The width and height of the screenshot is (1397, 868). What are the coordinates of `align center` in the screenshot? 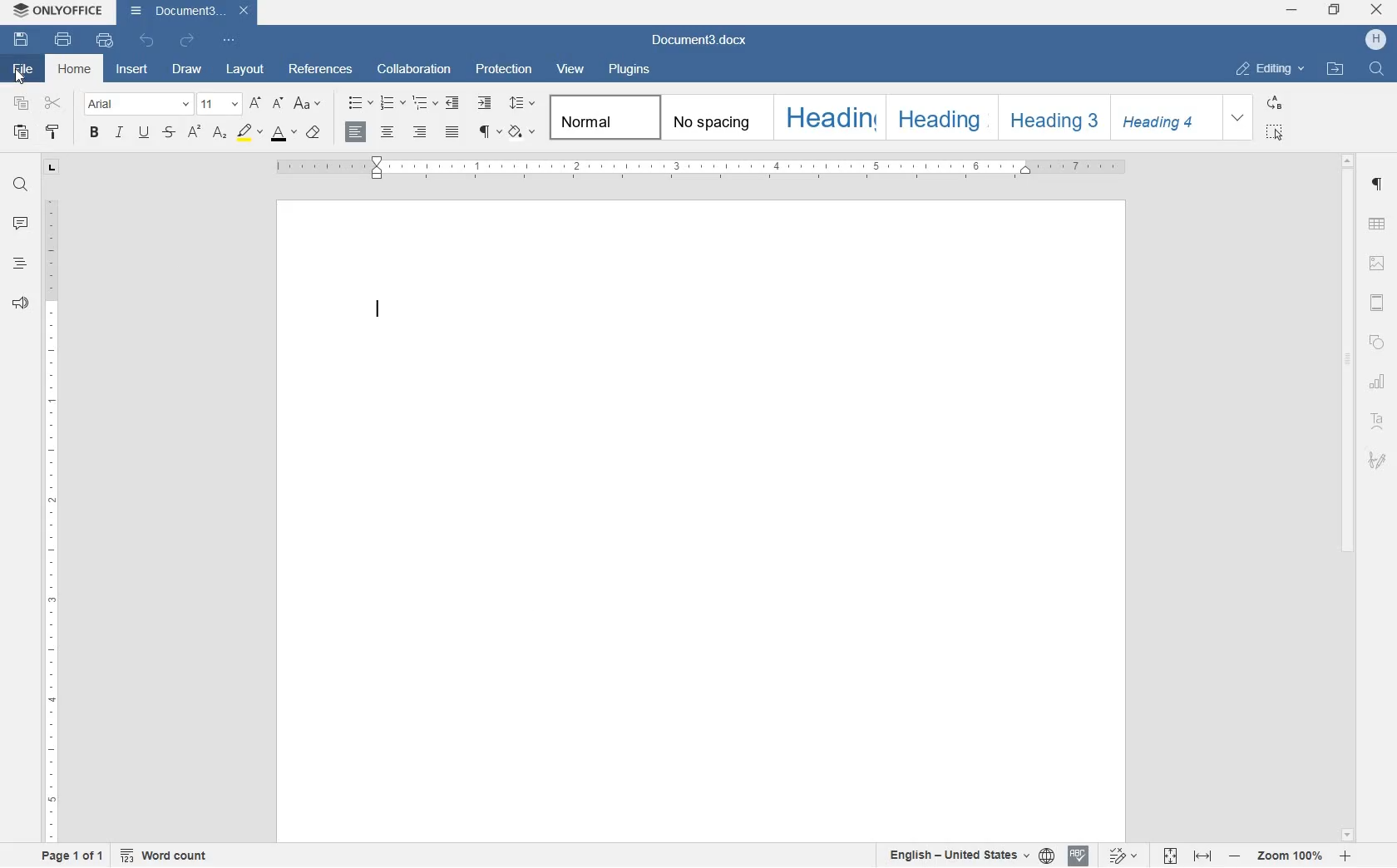 It's located at (386, 133).